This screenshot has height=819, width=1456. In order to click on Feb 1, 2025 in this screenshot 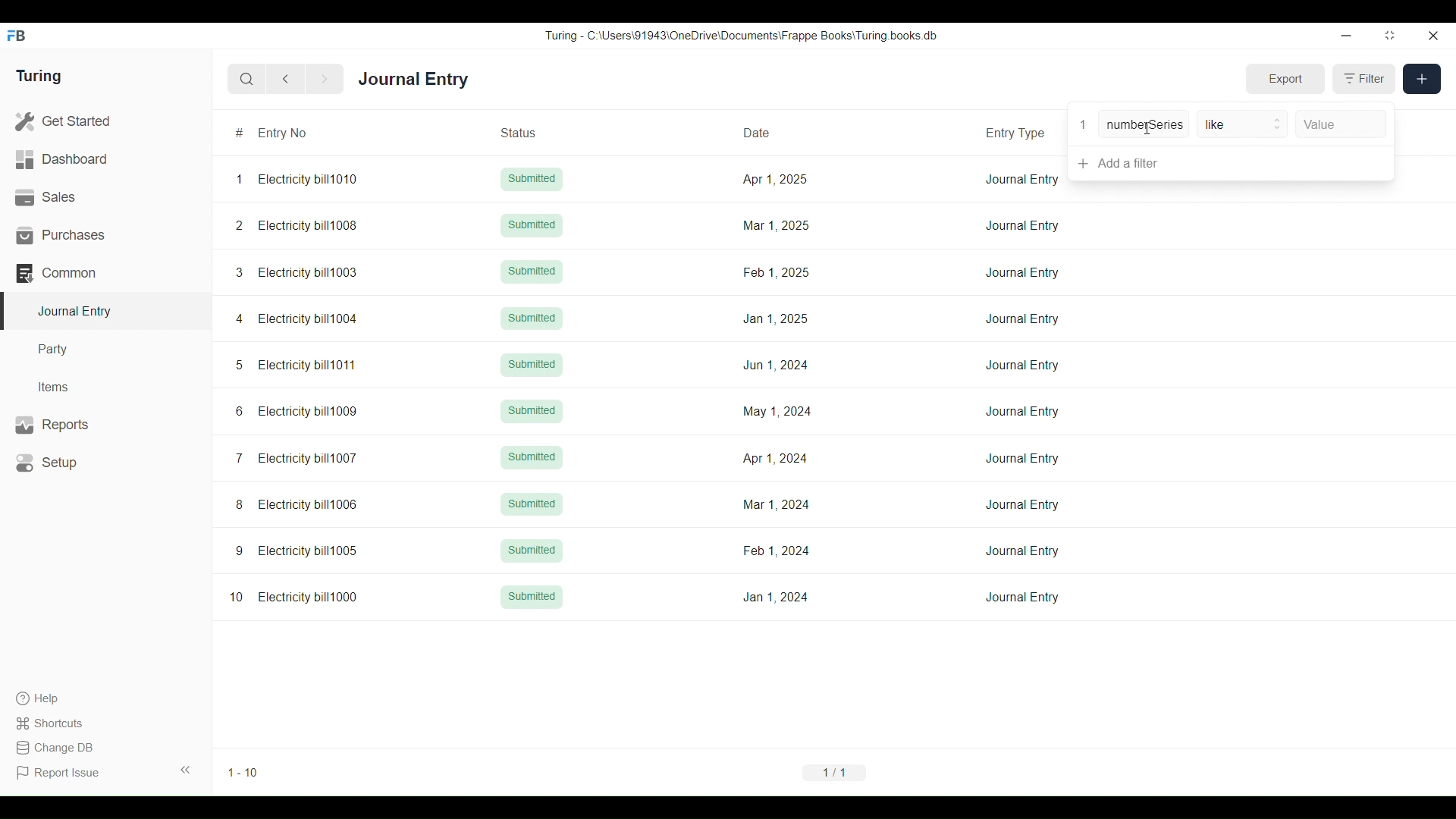, I will do `click(777, 271)`.